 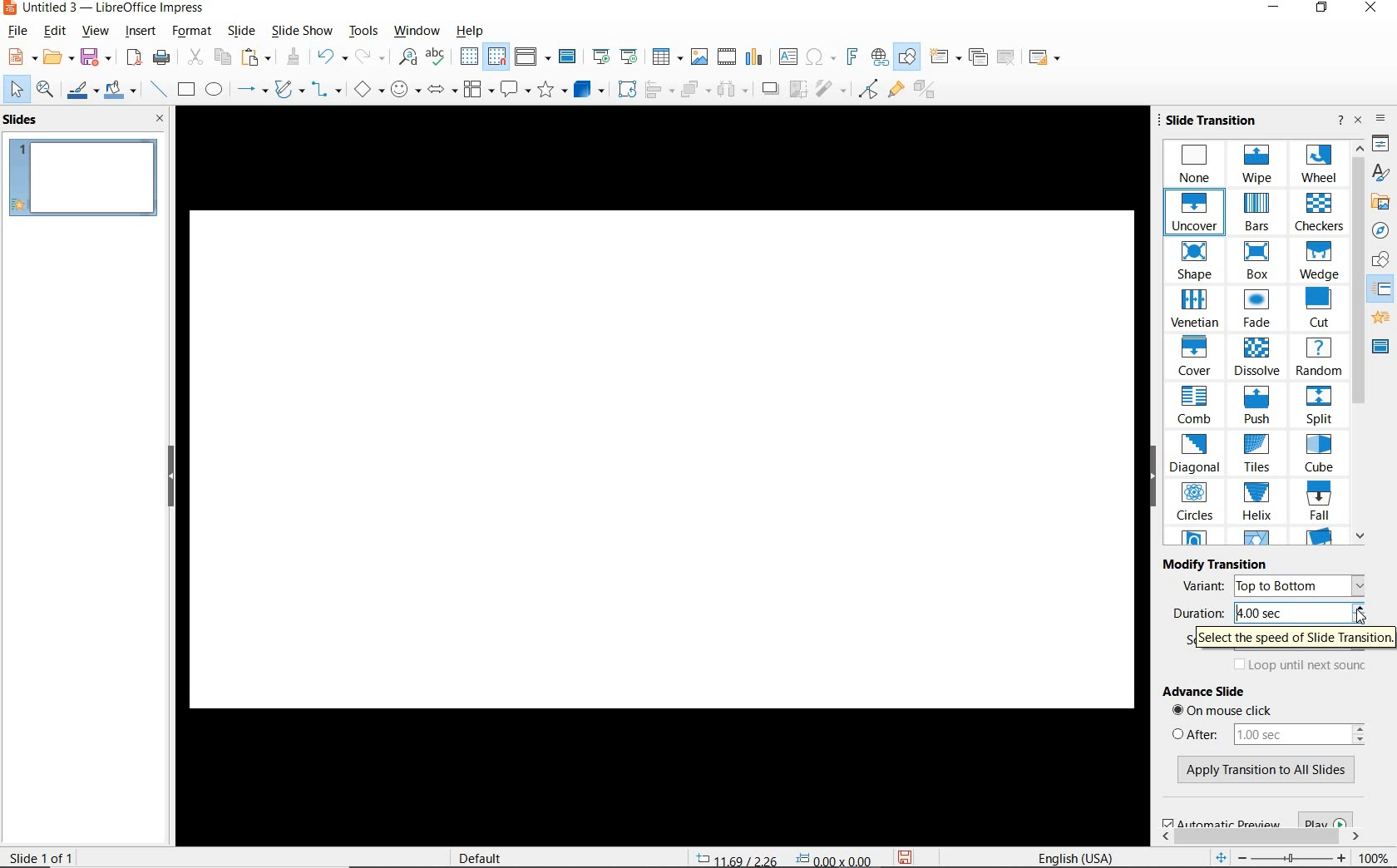 What do you see at coordinates (186, 89) in the screenshot?
I see `RECTANGLE` at bounding box center [186, 89].